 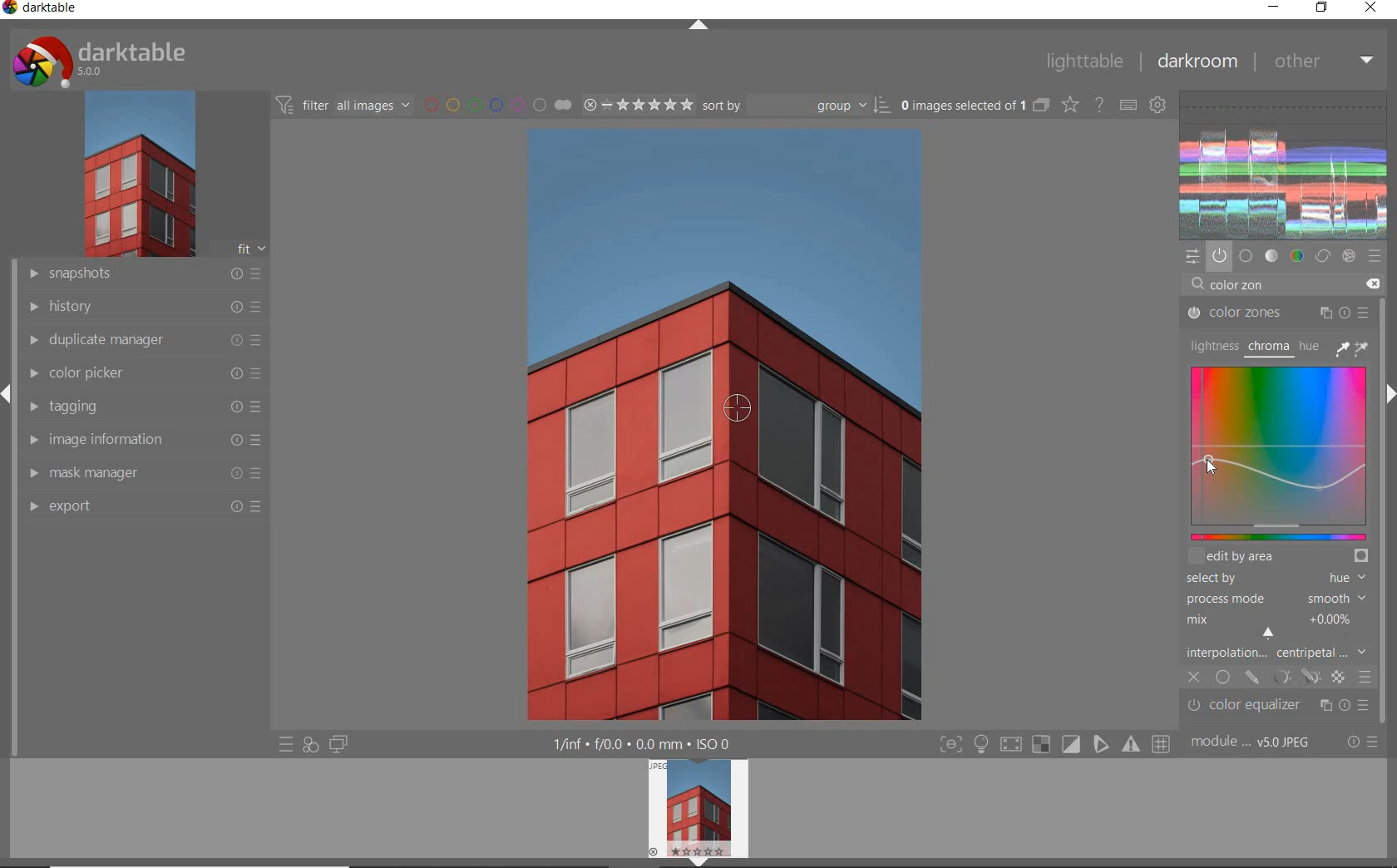 What do you see at coordinates (497, 105) in the screenshot?
I see `filter by image color label` at bounding box center [497, 105].